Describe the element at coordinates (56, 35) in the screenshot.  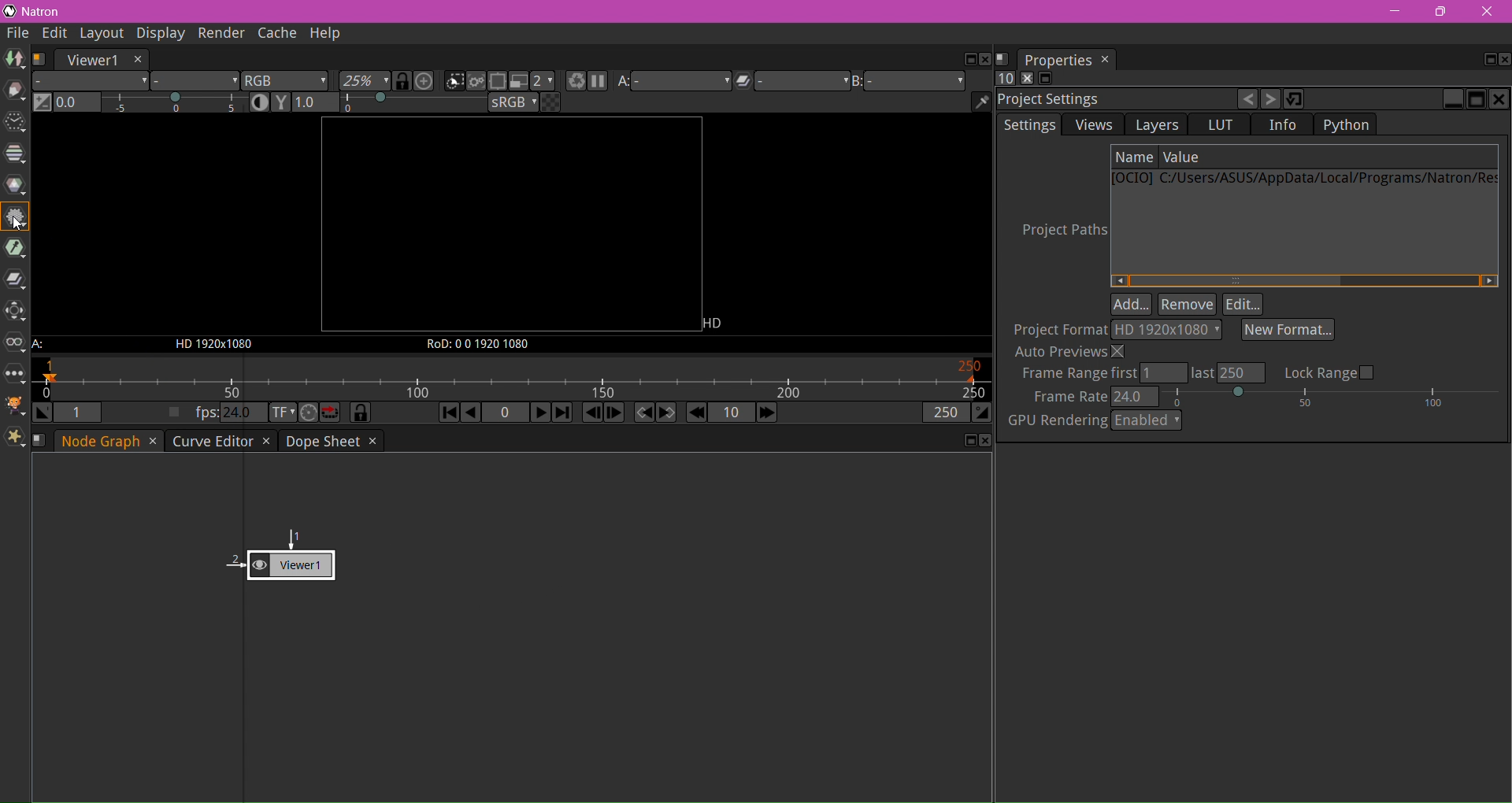
I see `Edit` at that location.